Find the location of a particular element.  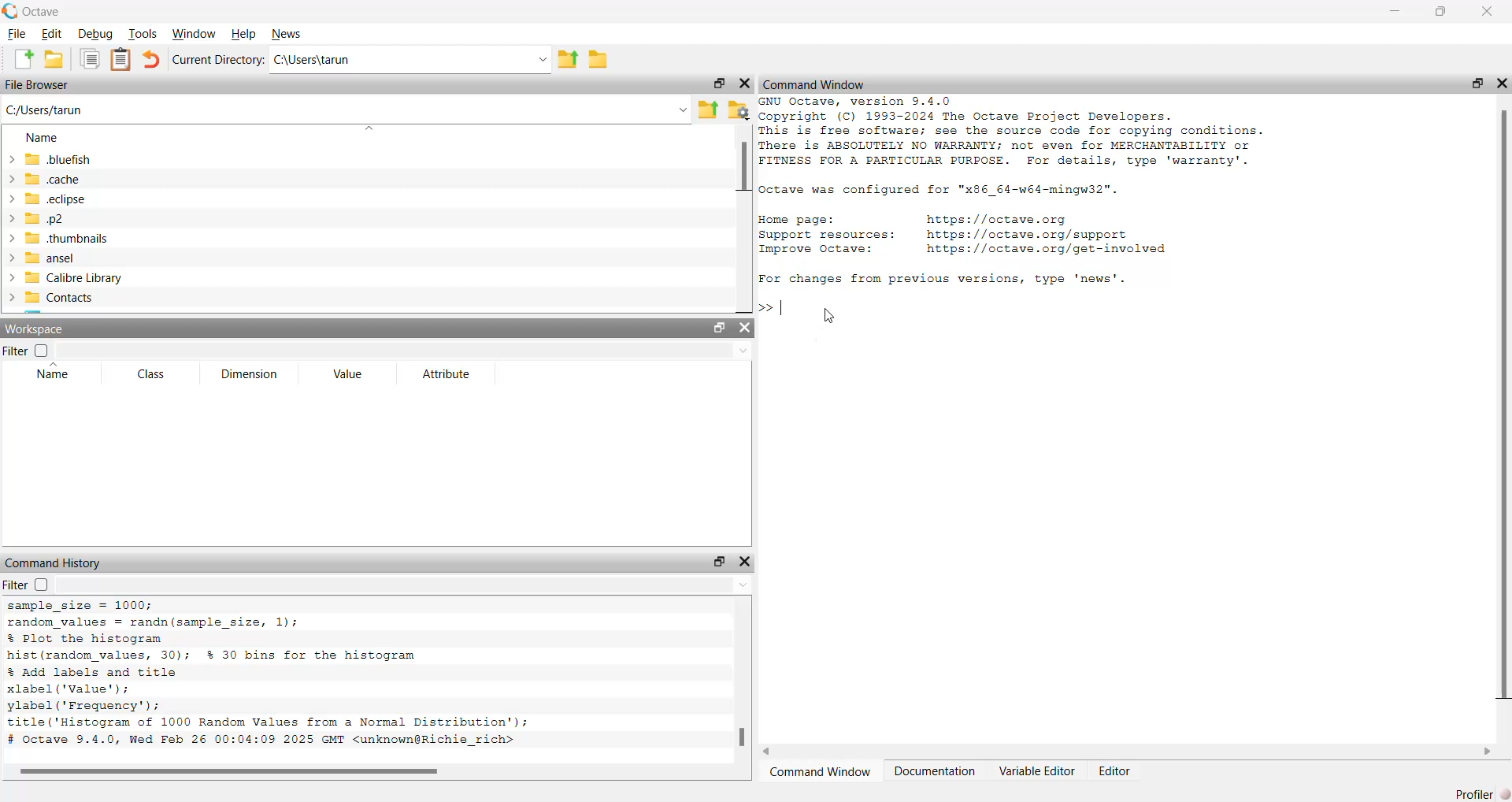

Variable Editor is located at coordinates (1037, 771).